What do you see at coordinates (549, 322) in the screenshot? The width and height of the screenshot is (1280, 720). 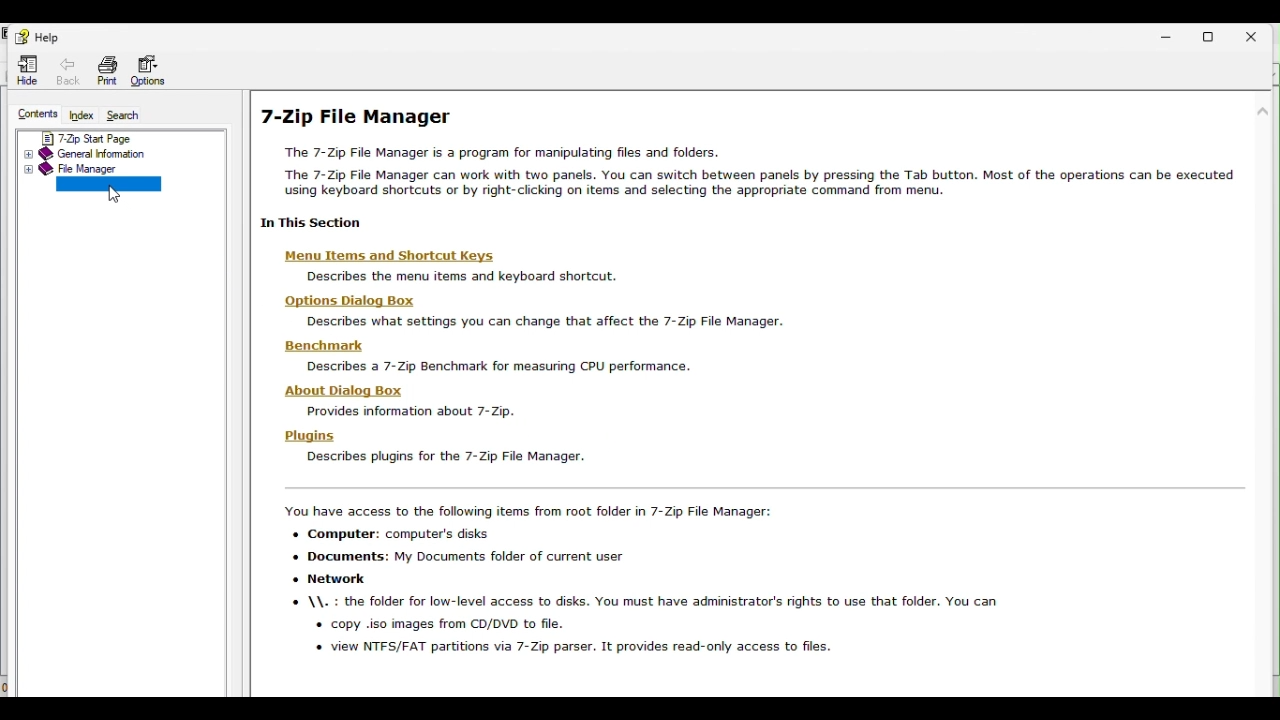 I see `describes setting you can change that affect 7 zip file manager` at bounding box center [549, 322].